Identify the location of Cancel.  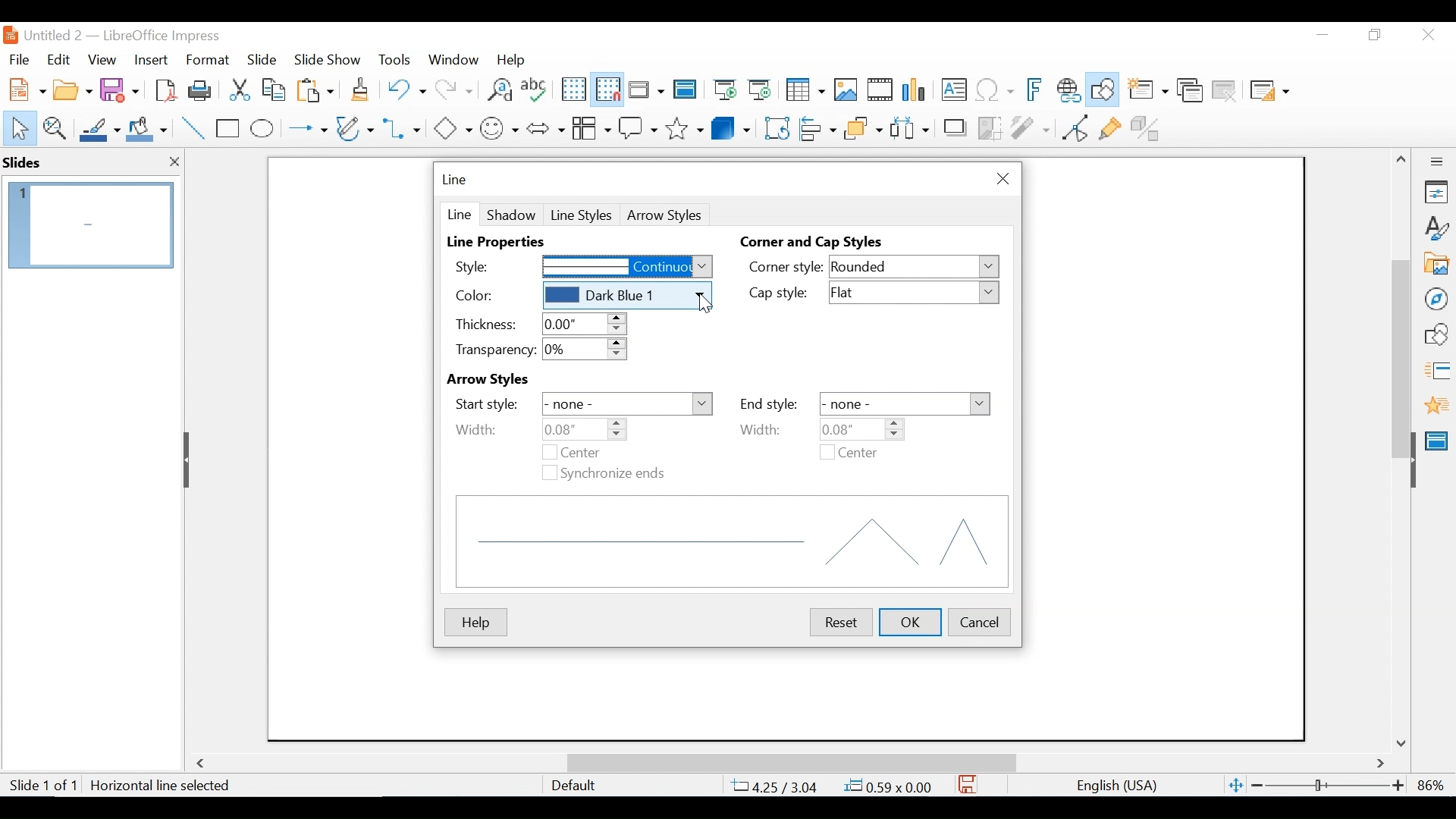
(980, 620).